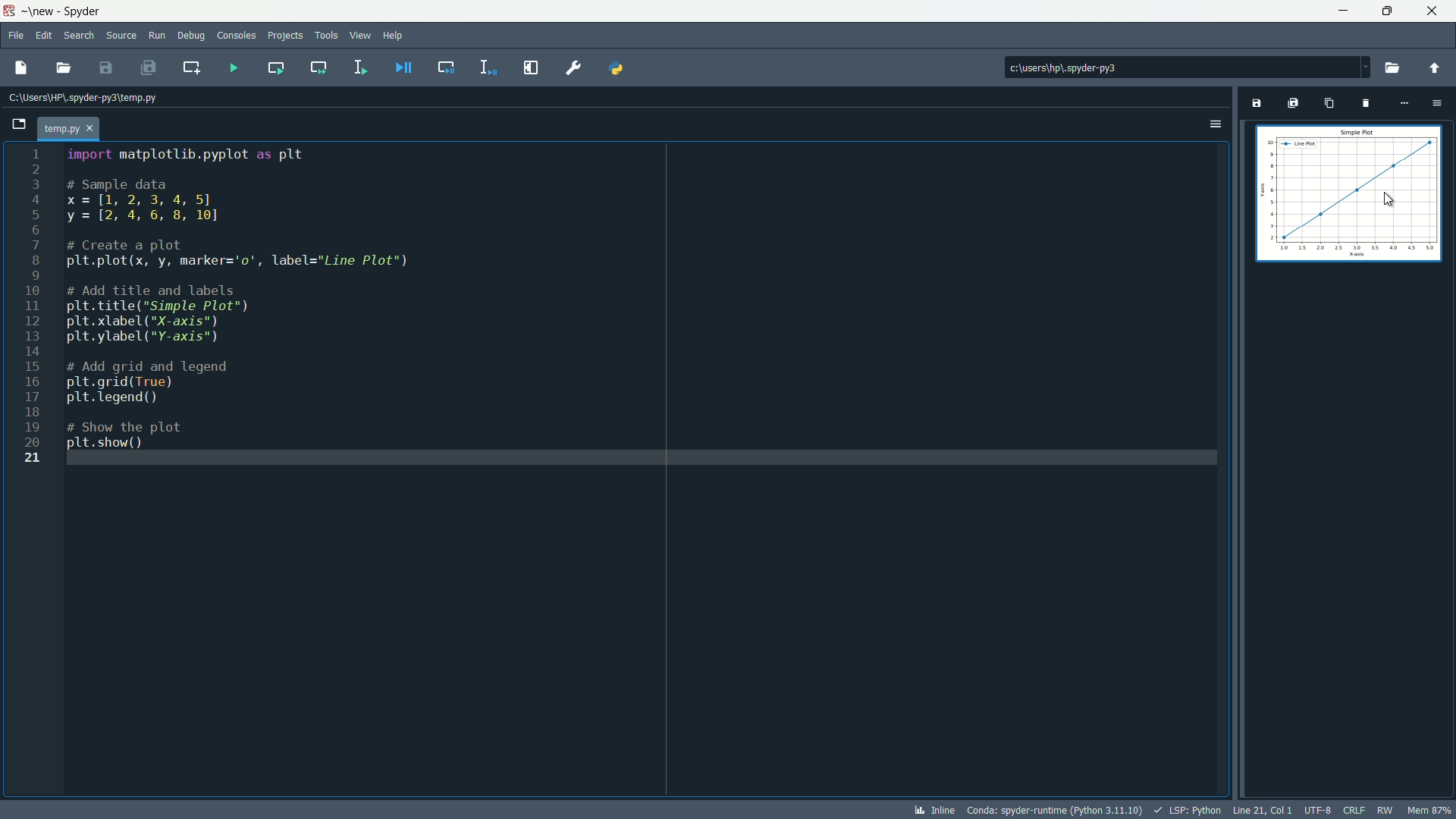  I want to click on remove plot, so click(1364, 105).